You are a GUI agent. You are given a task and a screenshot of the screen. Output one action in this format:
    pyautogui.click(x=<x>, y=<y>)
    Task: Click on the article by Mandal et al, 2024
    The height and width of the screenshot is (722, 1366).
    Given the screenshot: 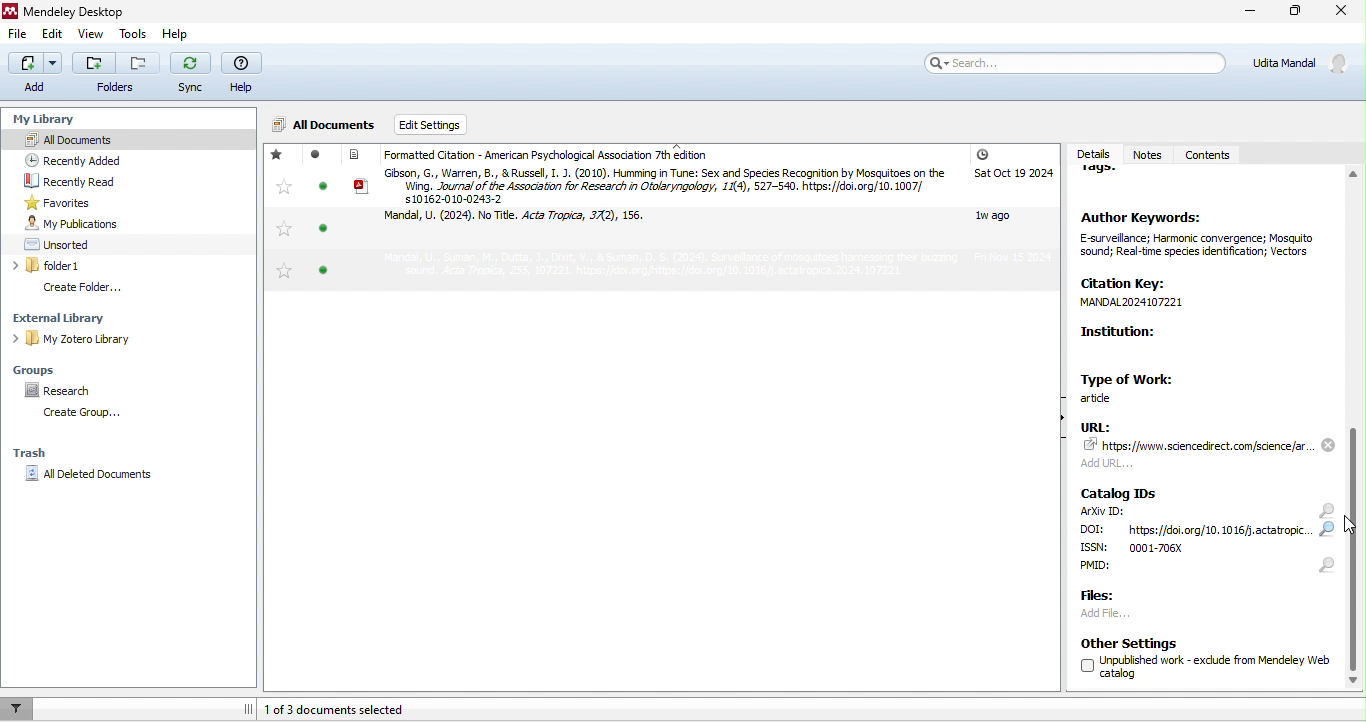 What is the action you would take?
    pyautogui.click(x=525, y=221)
    